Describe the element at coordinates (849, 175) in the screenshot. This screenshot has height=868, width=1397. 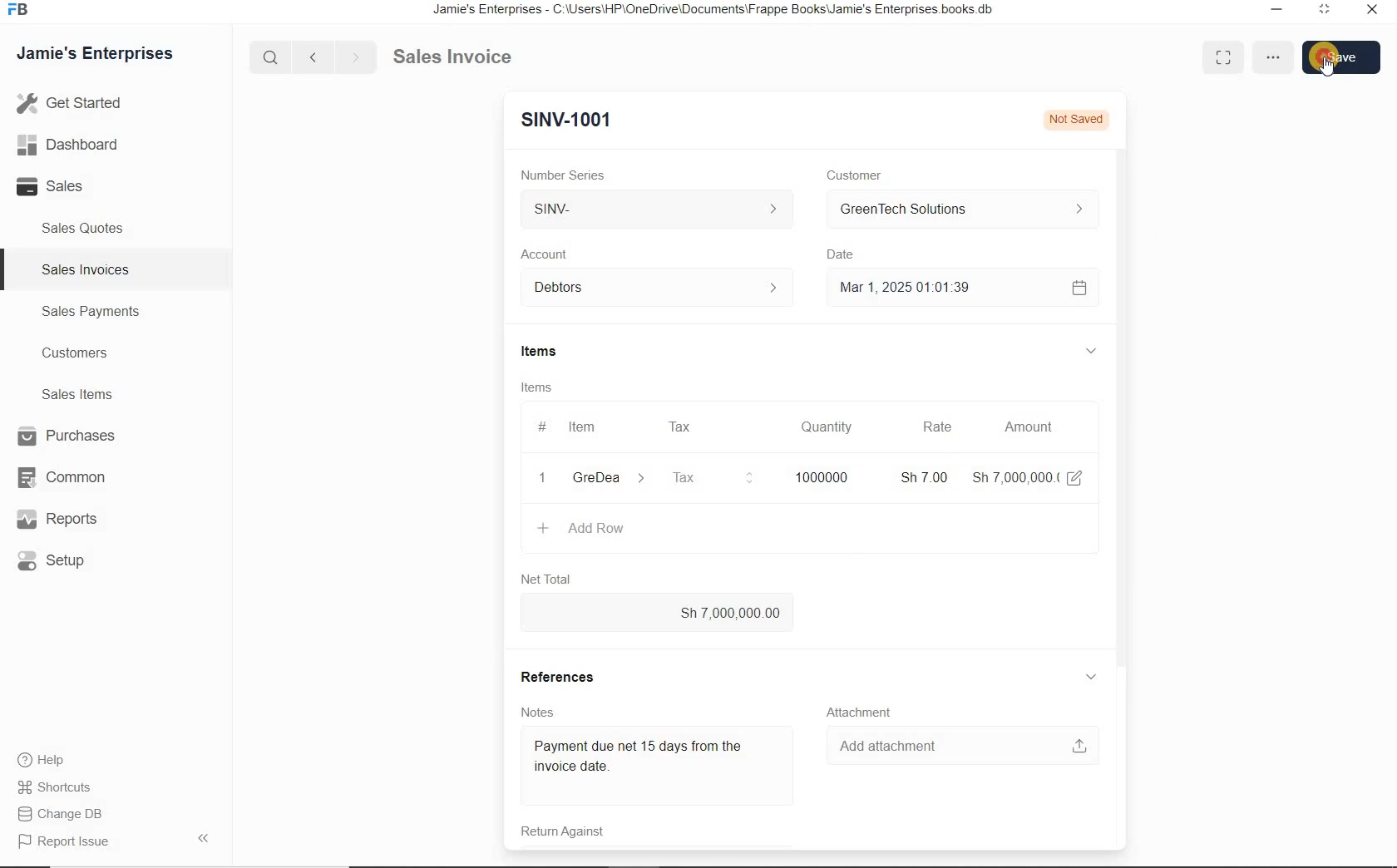
I see `Customer` at that location.